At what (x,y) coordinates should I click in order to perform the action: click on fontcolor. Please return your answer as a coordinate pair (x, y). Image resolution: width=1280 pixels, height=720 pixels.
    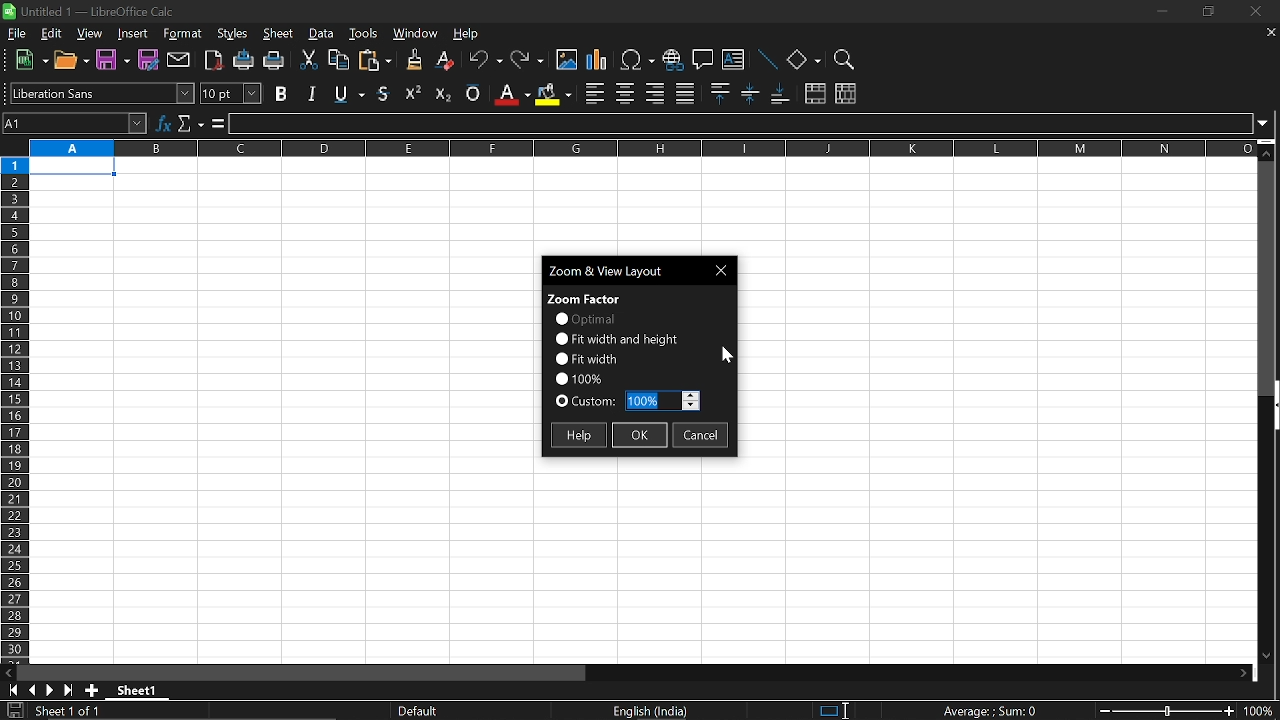
    Looking at the image, I should click on (511, 94).